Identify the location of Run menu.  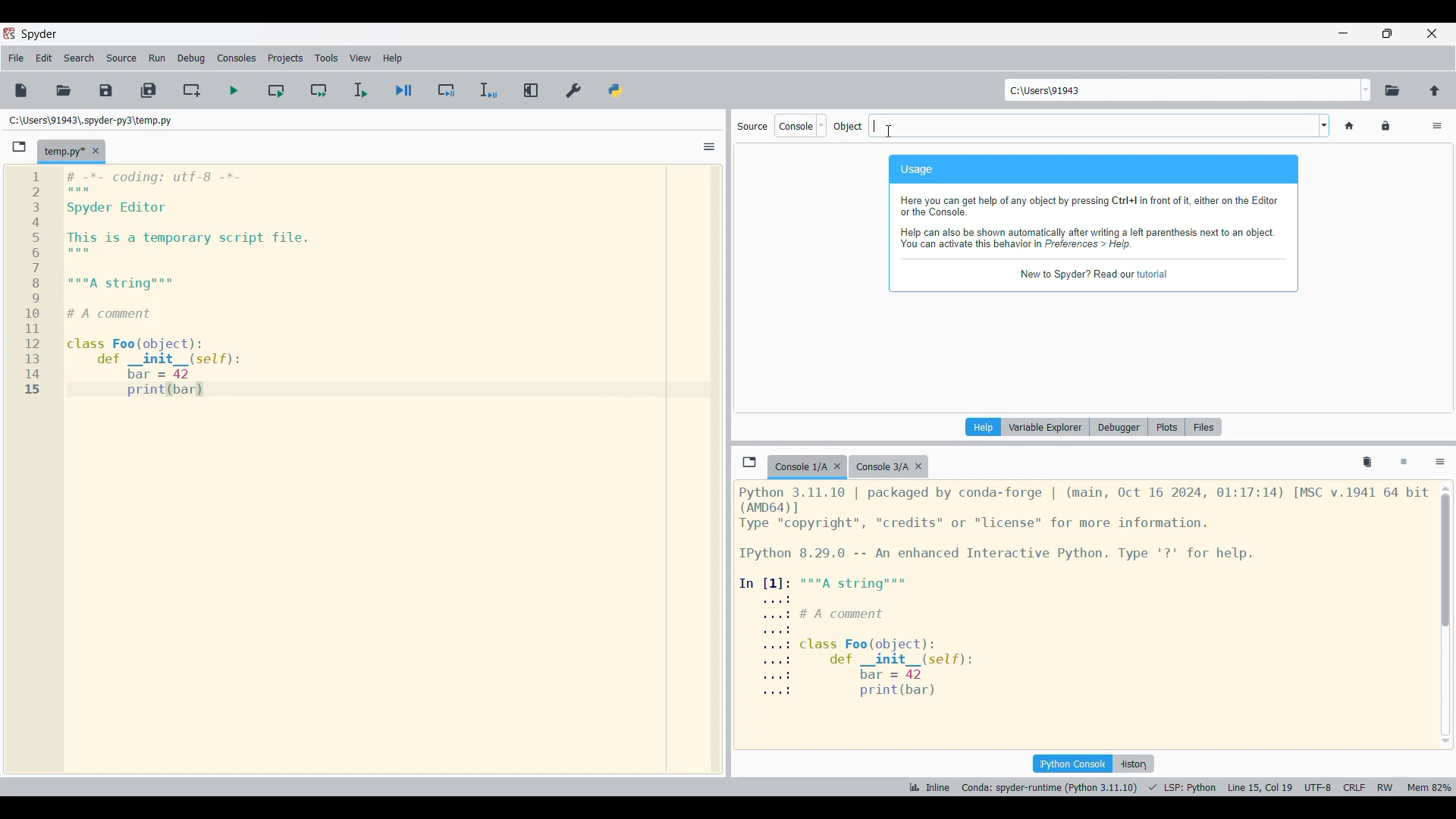
(158, 58).